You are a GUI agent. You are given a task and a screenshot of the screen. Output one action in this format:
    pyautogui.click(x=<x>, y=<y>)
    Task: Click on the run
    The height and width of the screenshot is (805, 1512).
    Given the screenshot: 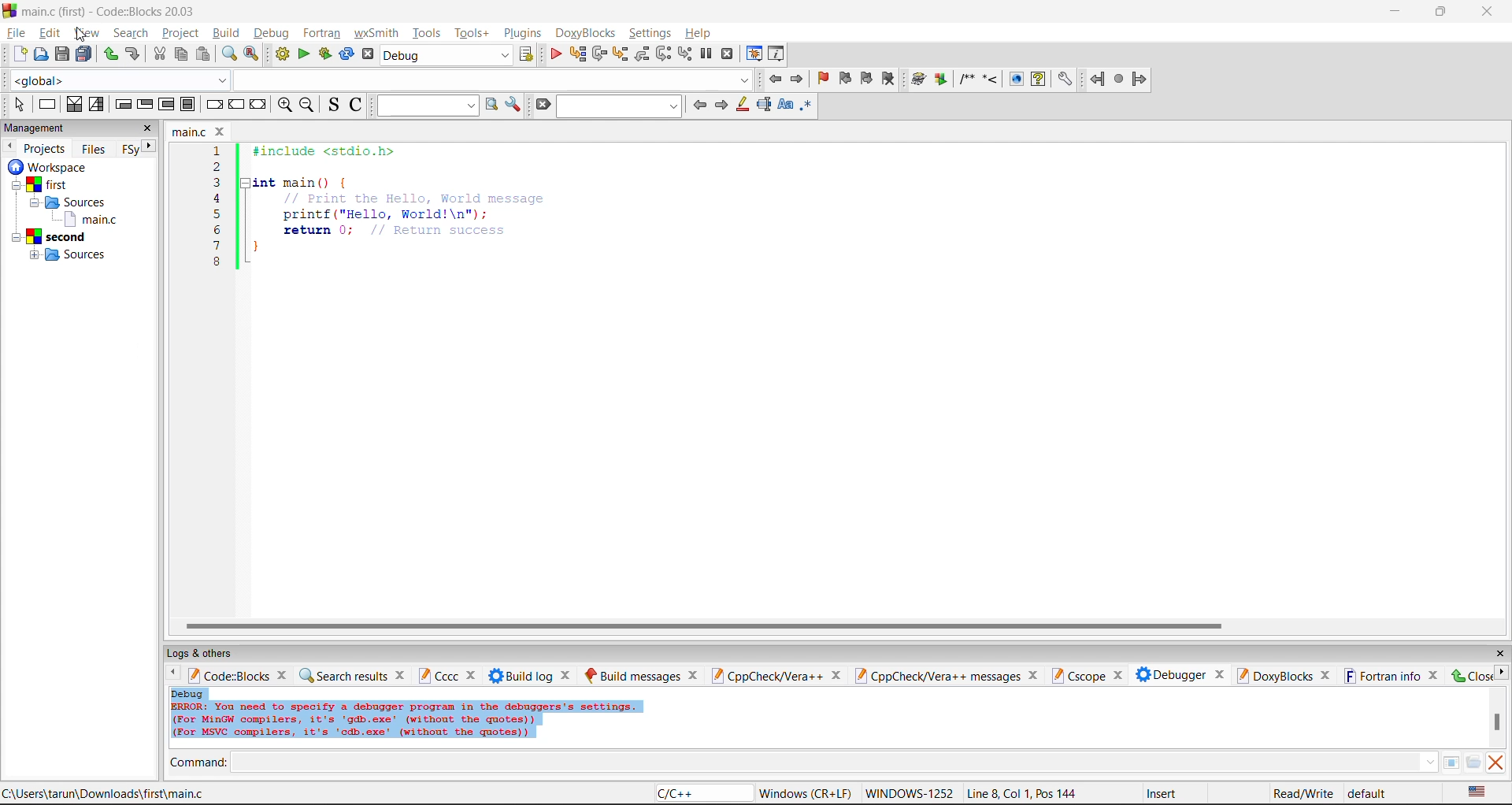 What is the action you would take?
    pyautogui.click(x=304, y=56)
    